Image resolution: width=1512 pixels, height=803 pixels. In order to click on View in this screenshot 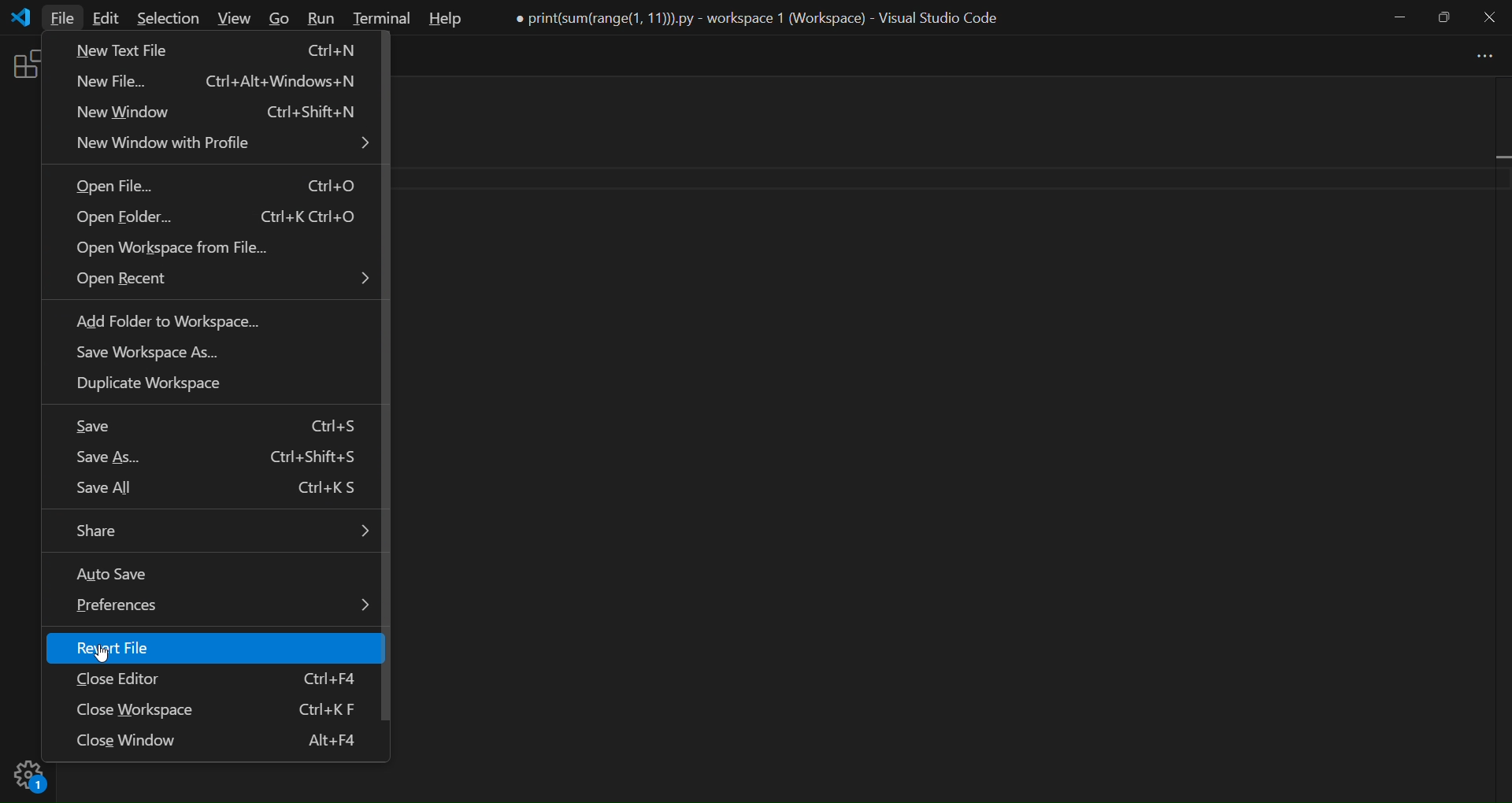, I will do `click(235, 18)`.